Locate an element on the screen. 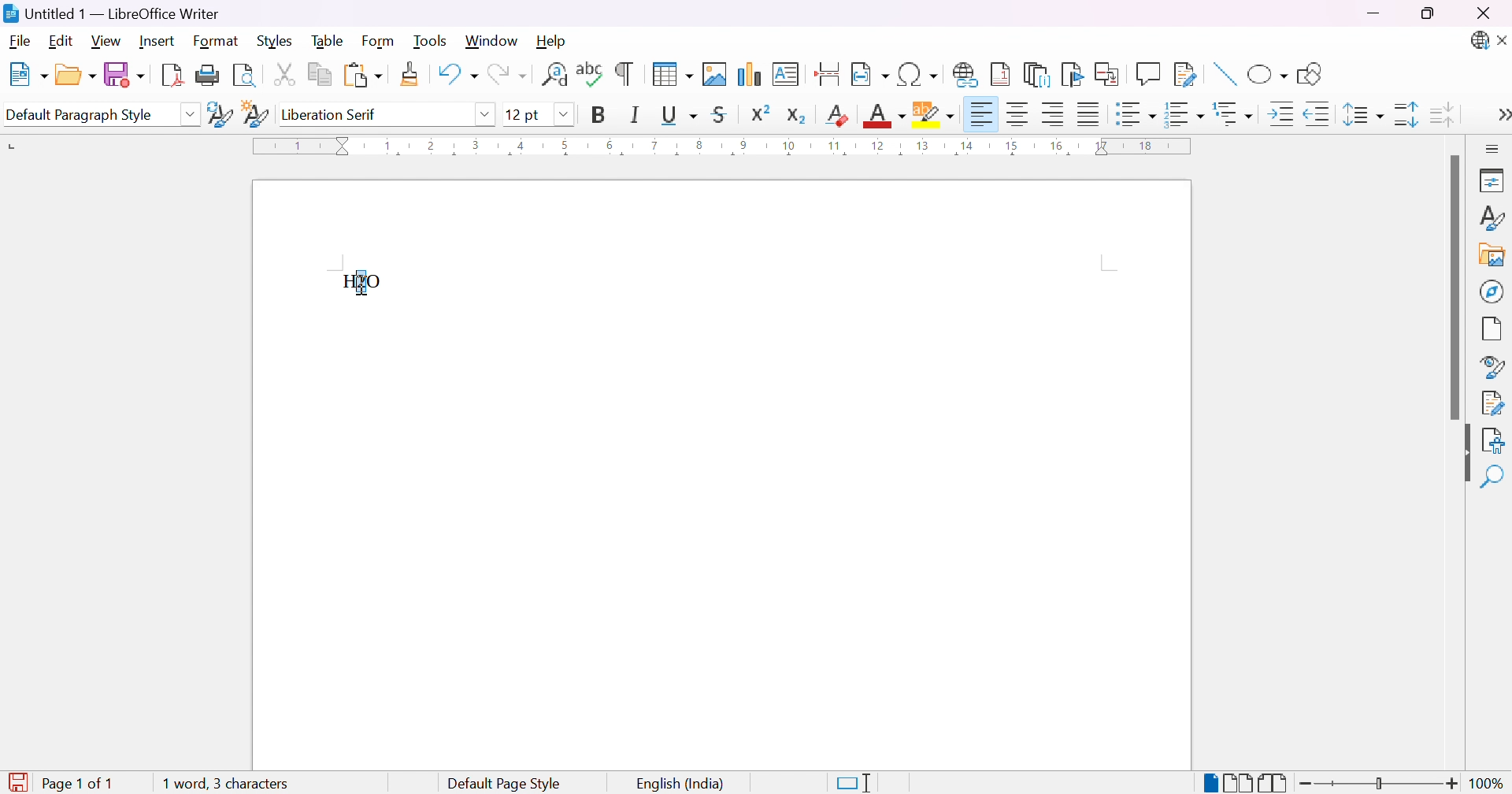 The height and width of the screenshot is (794, 1512). Basic shapes is located at coordinates (1267, 77).